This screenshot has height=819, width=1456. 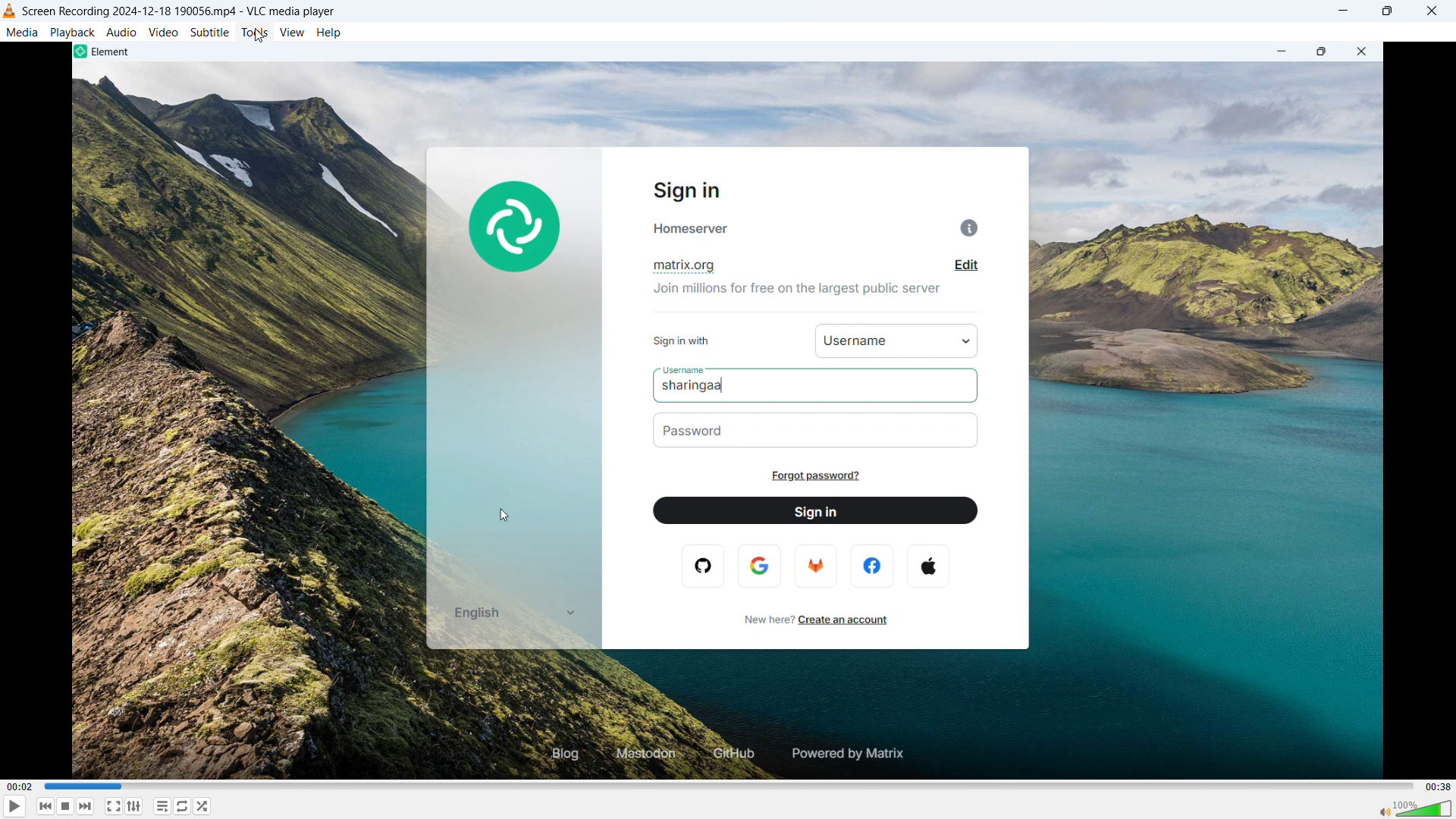 What do you see at coordinates (847, 753) in the screenshot?
I see `powered by matrix` at bounding box center [847, 753].